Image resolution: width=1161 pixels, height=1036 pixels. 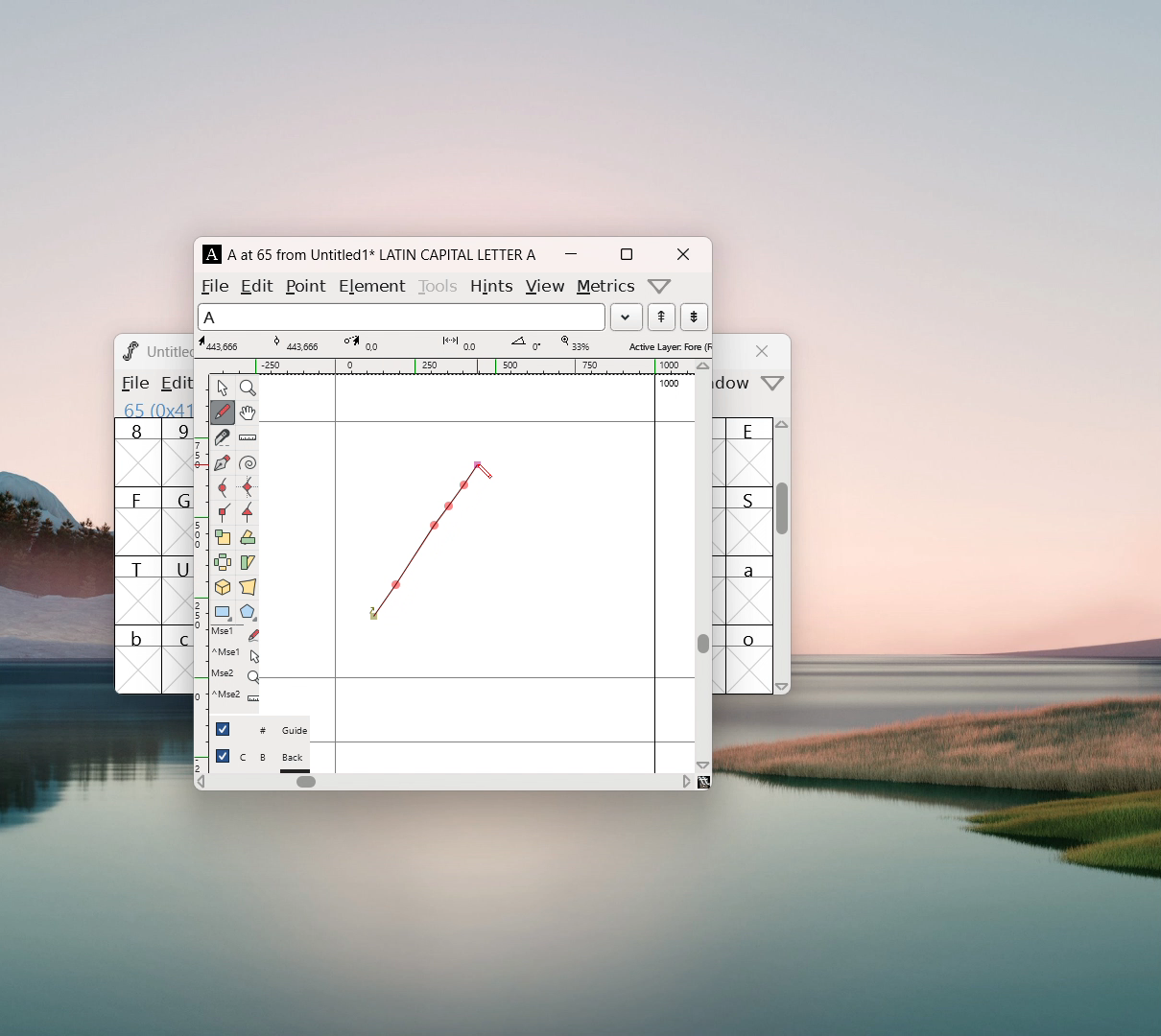 What do you see at coordinates (765, 351) in the screenshot?
I see `close` at bounding box center [765, 351].